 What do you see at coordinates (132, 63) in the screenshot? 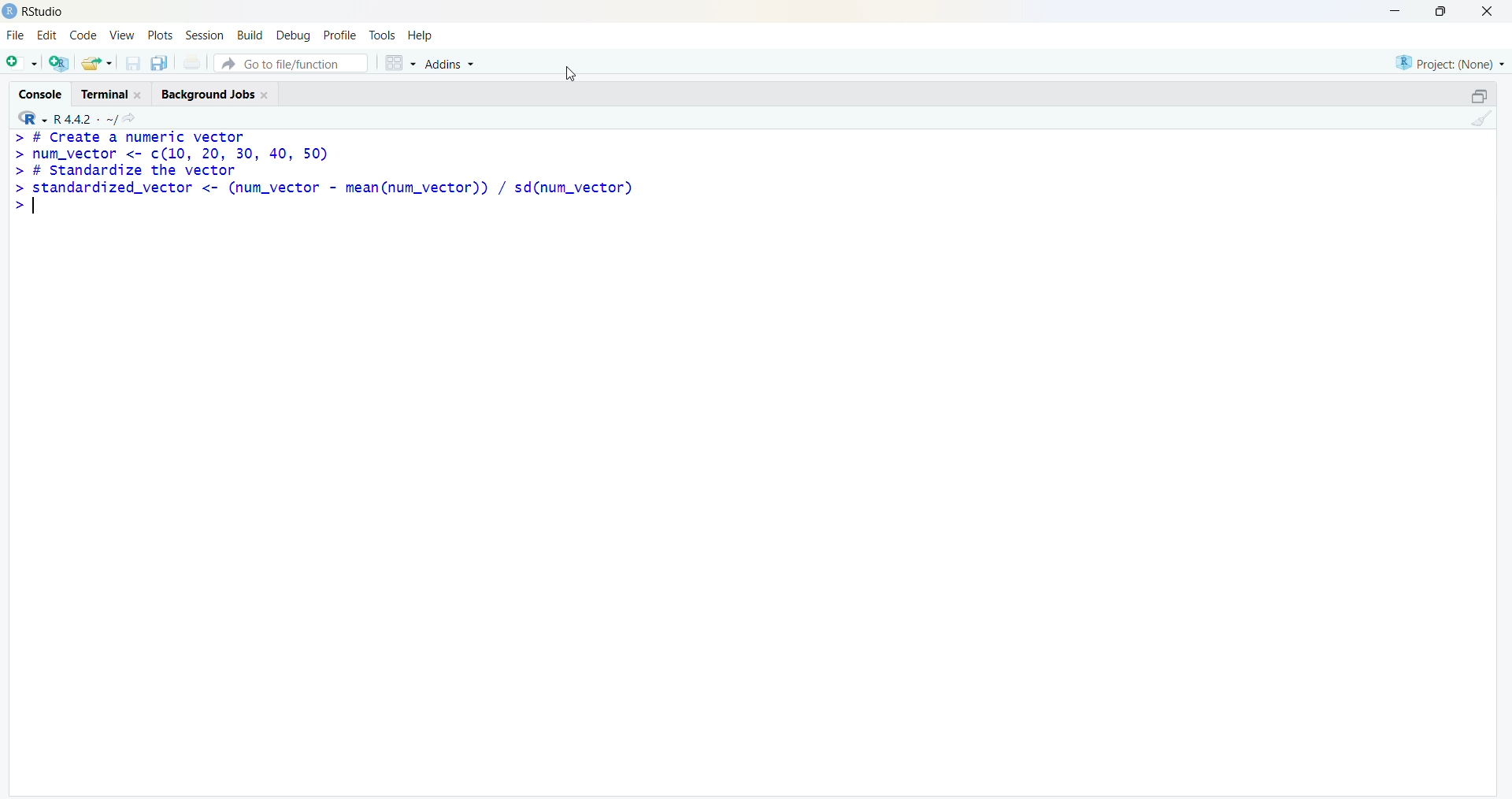
I see `save` at bounding box center [132, 63].